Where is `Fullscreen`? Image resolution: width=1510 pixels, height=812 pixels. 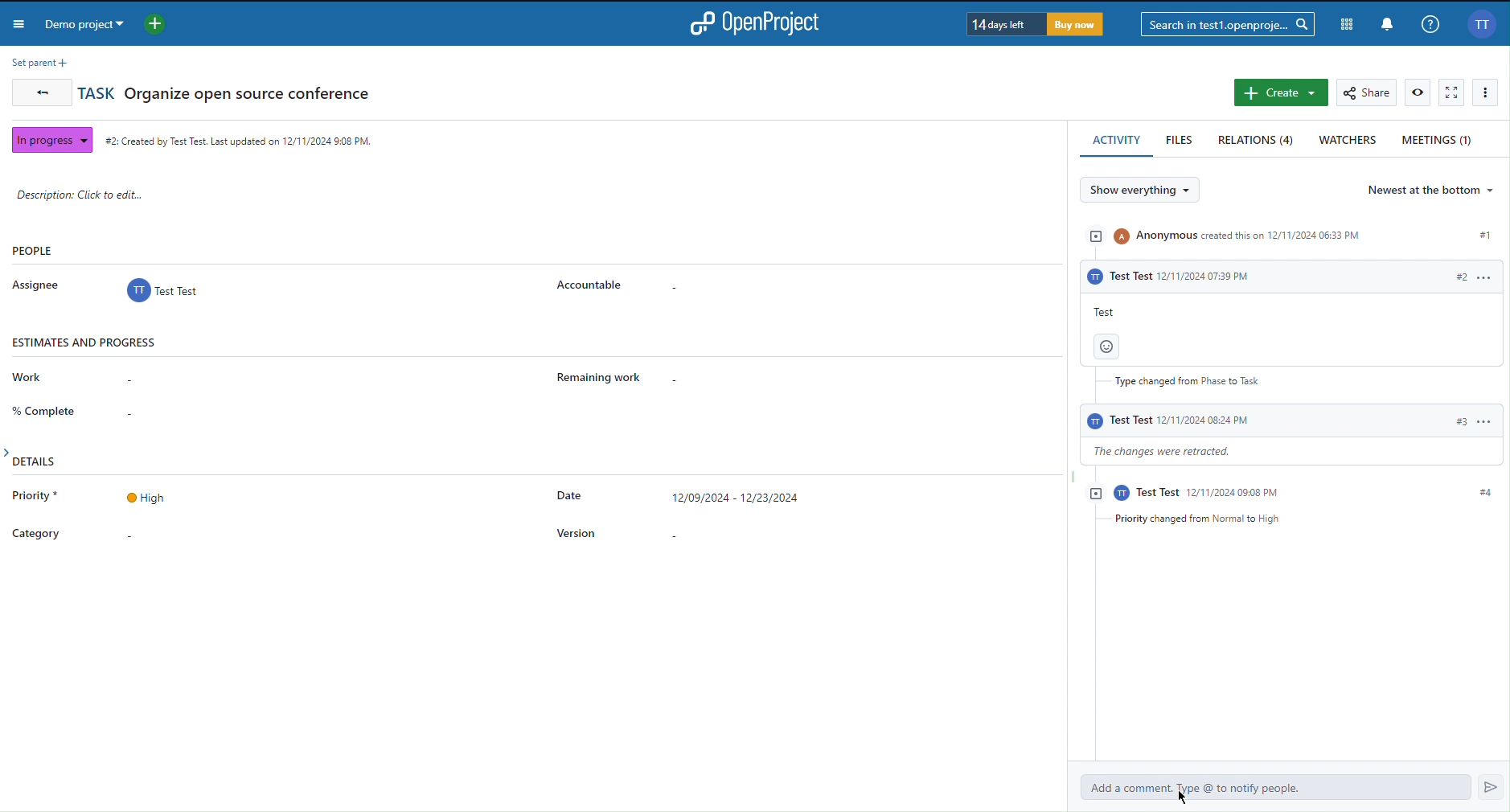 Fullscreen is located at coordinates (1452, 93).